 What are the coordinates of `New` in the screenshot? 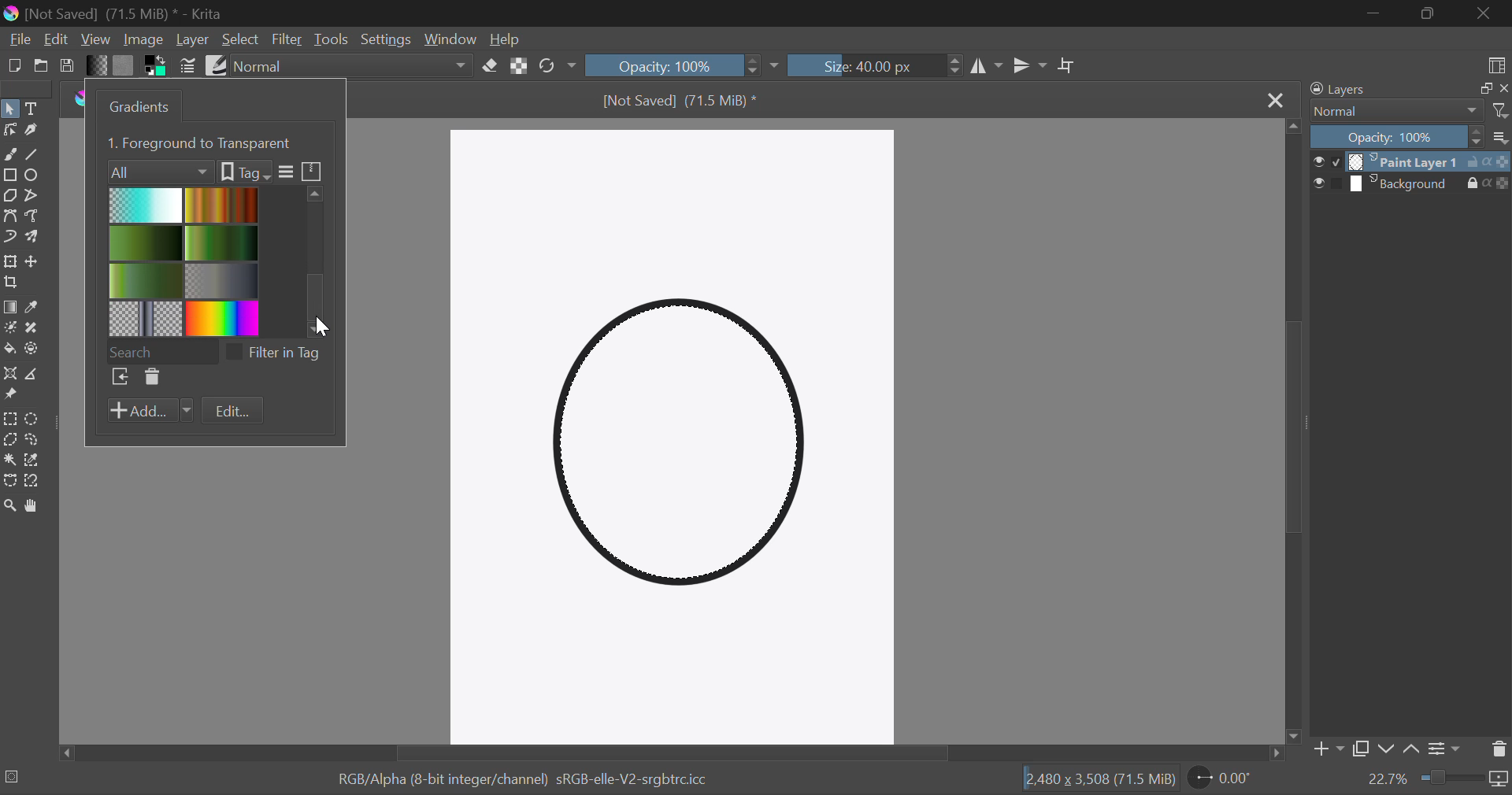 It's located at (13, 66).